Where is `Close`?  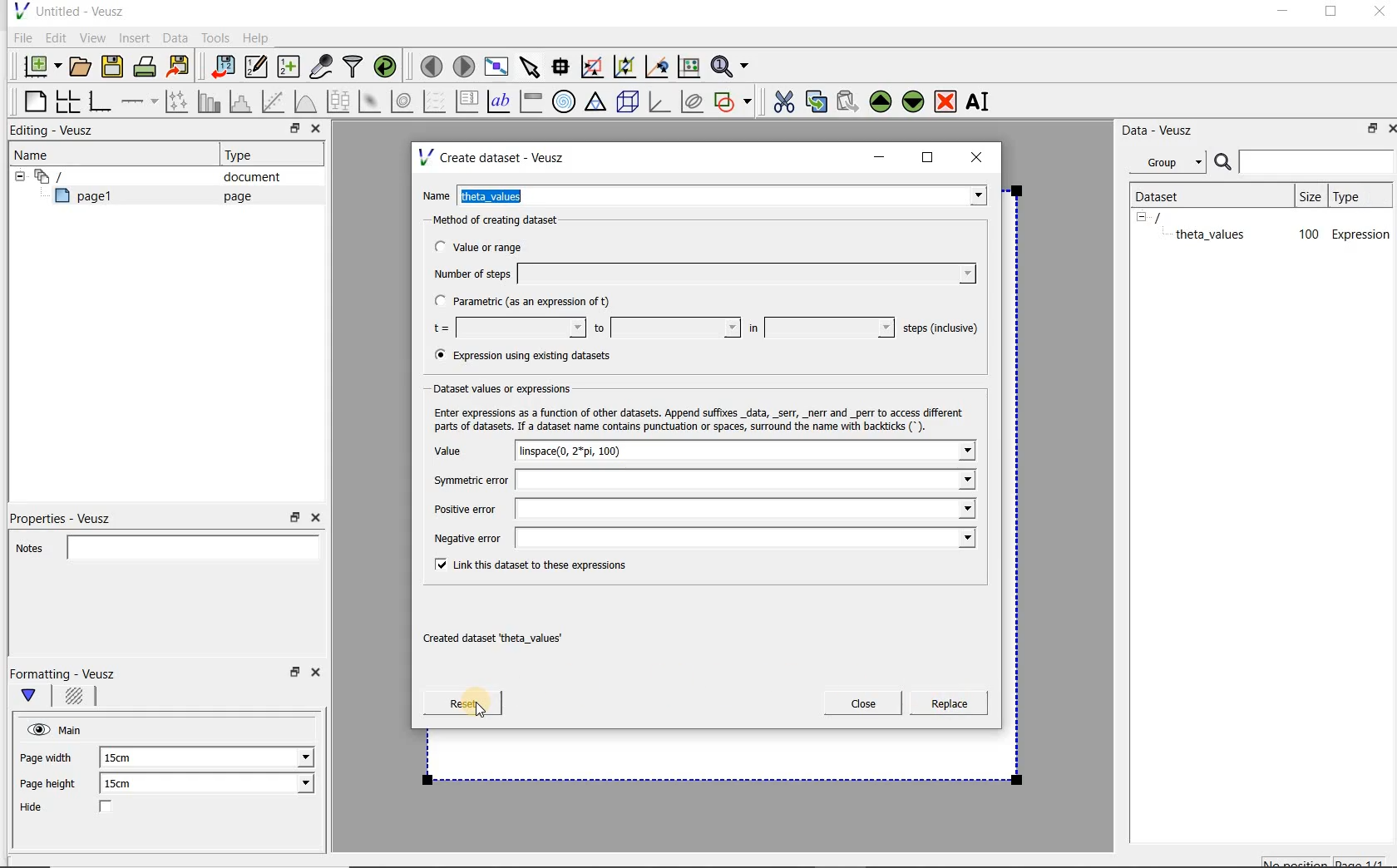
Close is located at coordinates (863, 703).